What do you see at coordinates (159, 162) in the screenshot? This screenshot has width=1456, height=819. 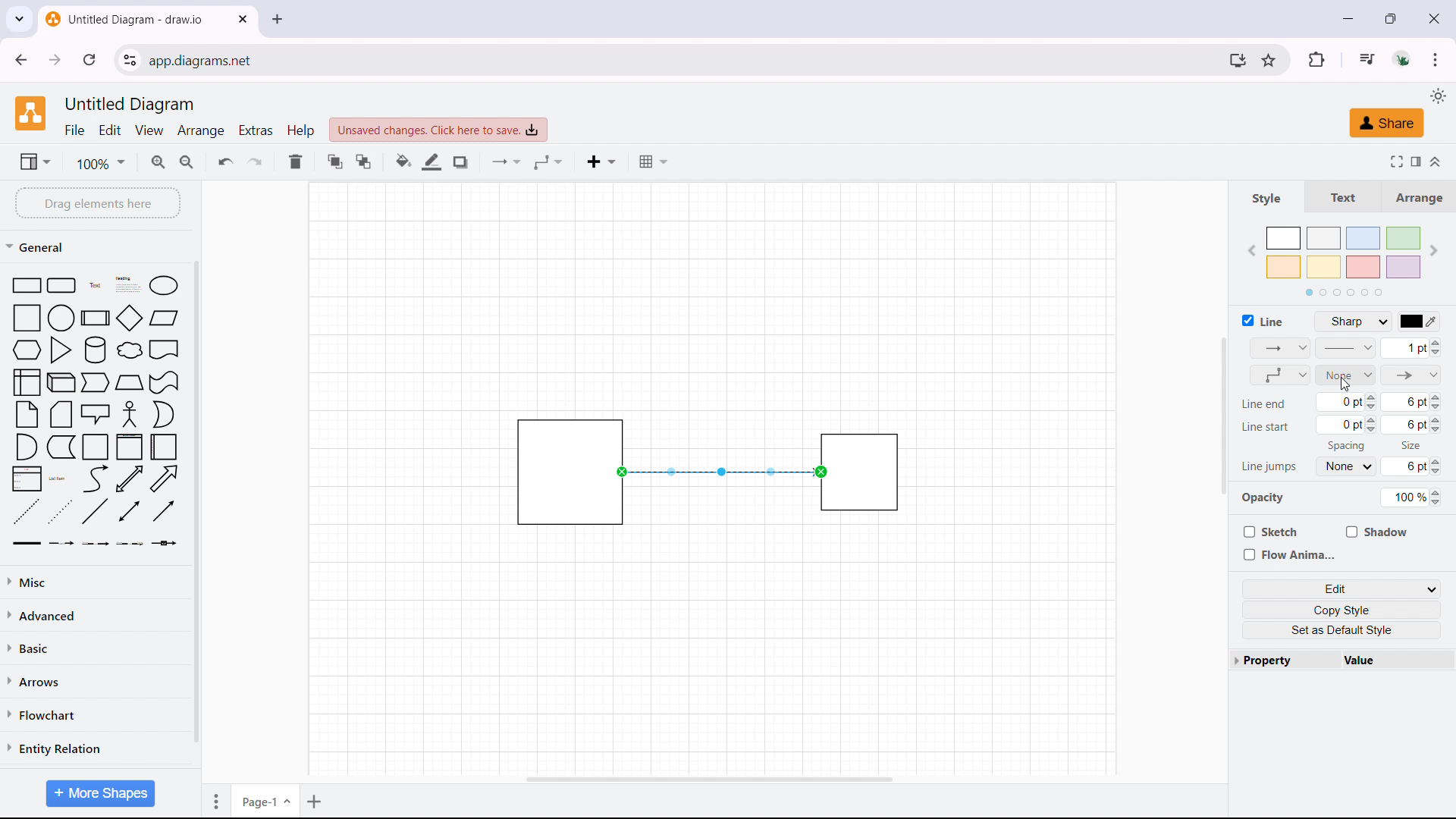 I see `zoomin` at bounding box center [159, 162].